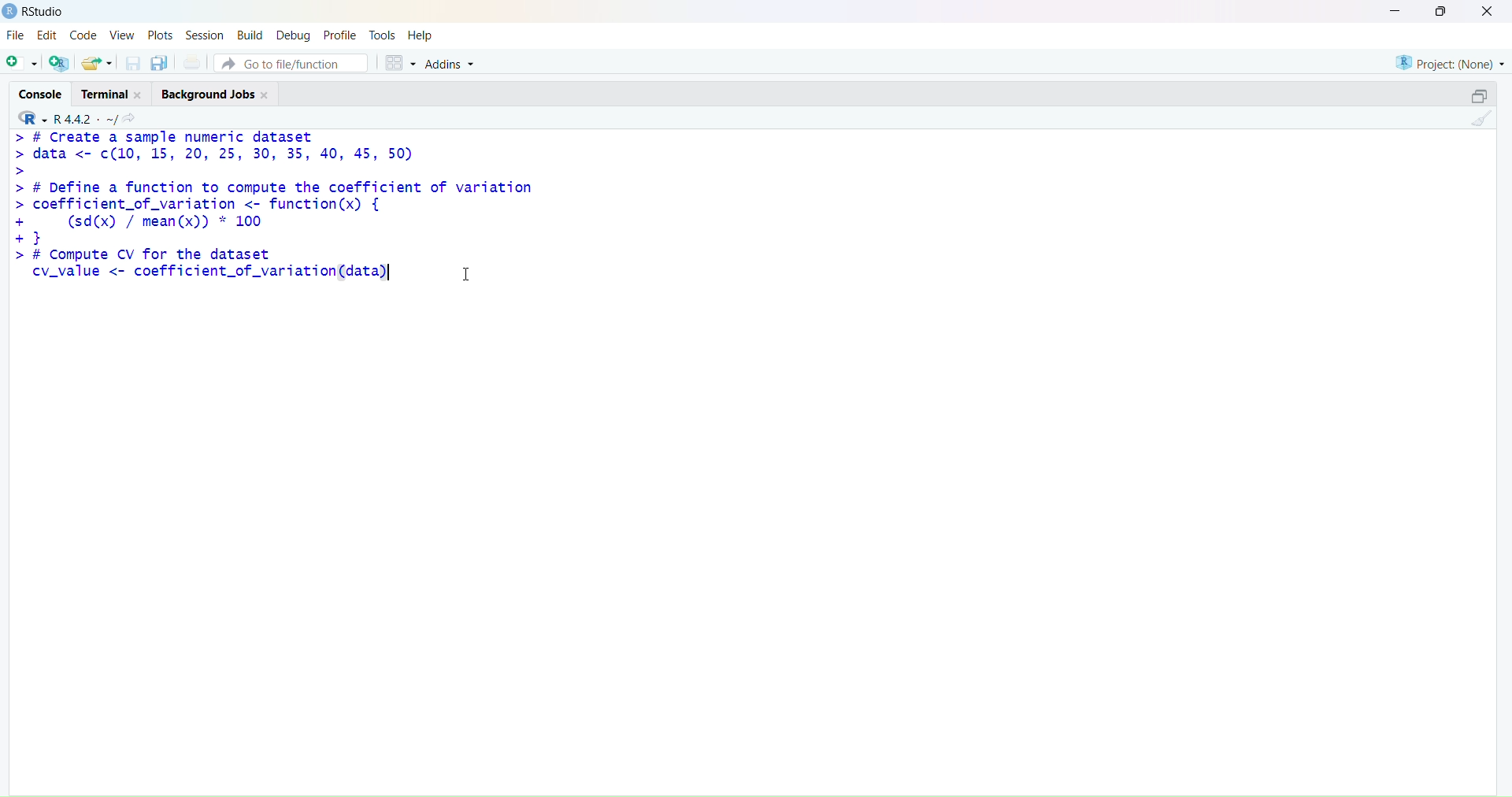  I want to click on plots, so click(161, 35).